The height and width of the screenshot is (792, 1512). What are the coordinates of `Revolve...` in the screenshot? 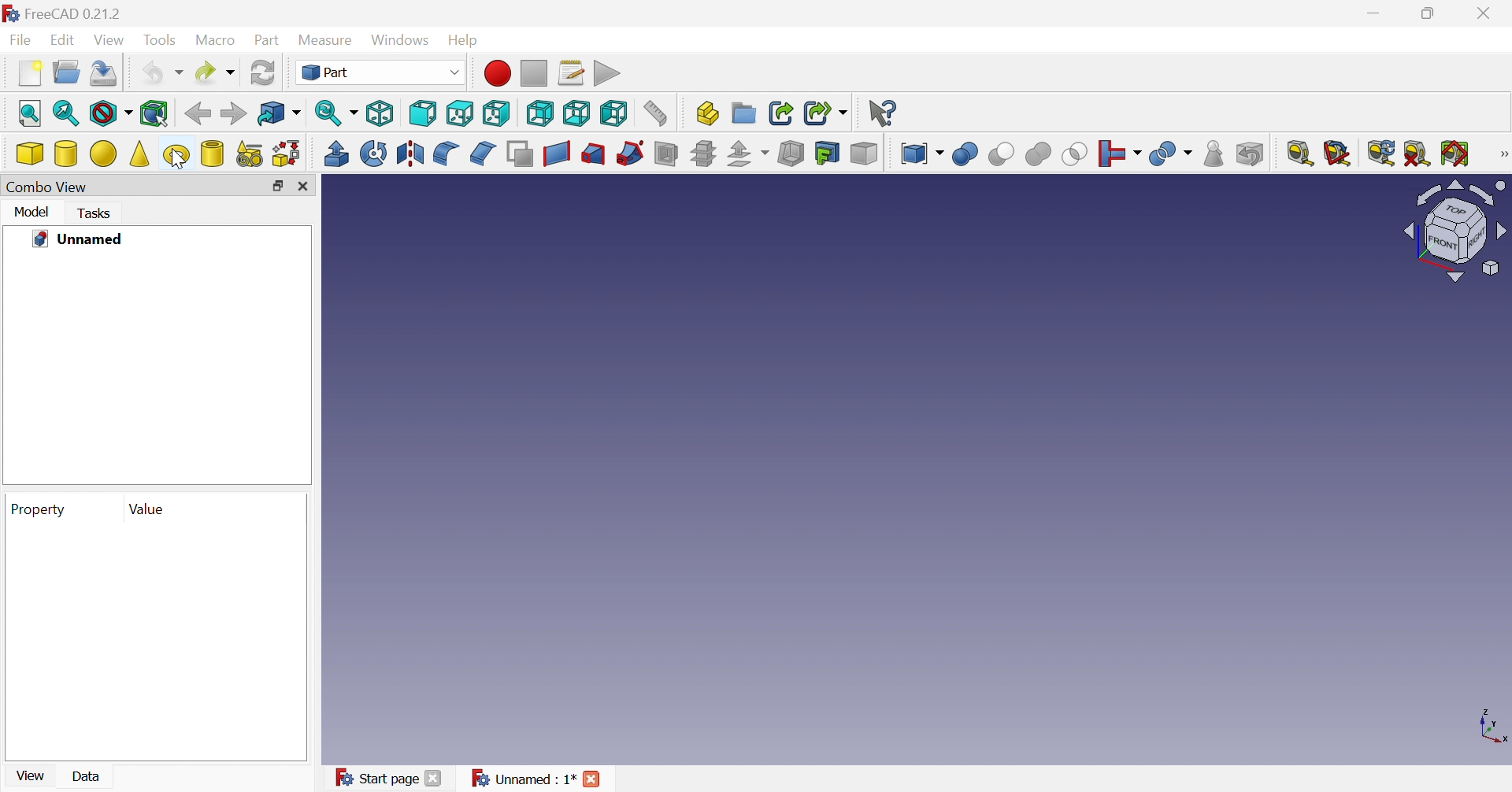 It's located at (372, 154).